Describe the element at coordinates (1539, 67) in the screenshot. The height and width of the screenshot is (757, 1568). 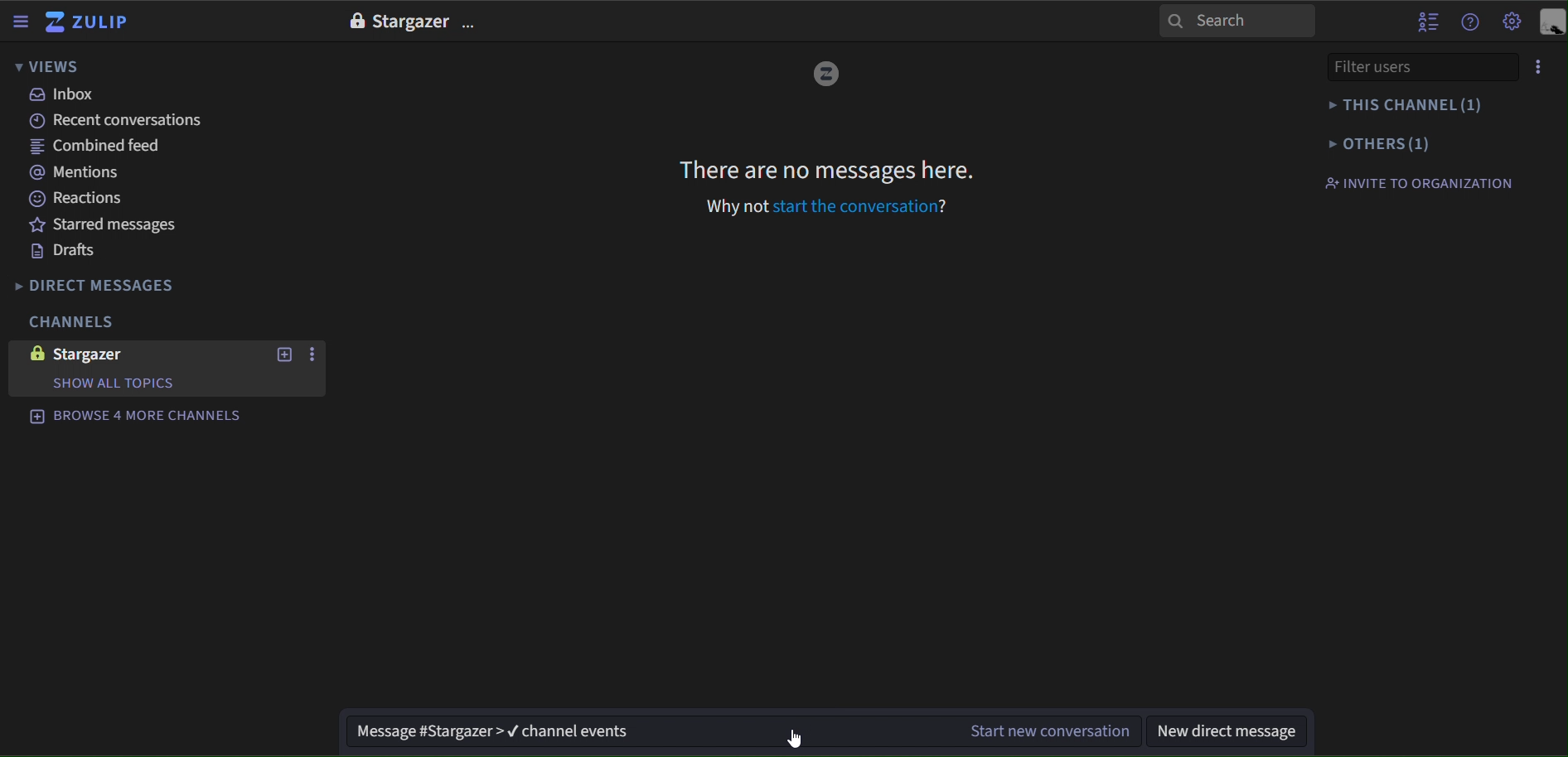
I see `options` at that location.